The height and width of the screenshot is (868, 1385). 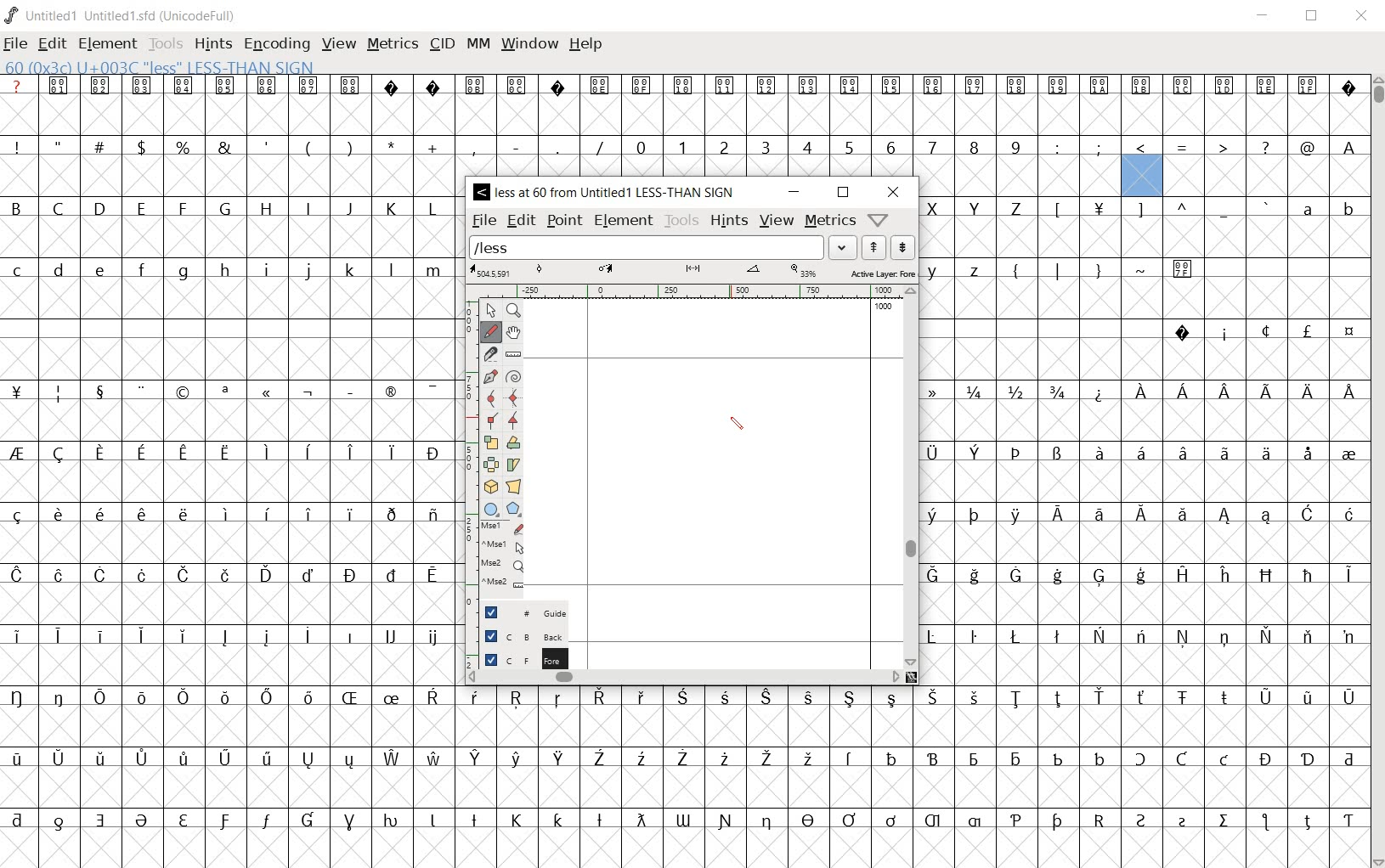 What do you see at coordinates (236, 389) in the screenshot?
I see `symbols` at bounding box center [236, 389].